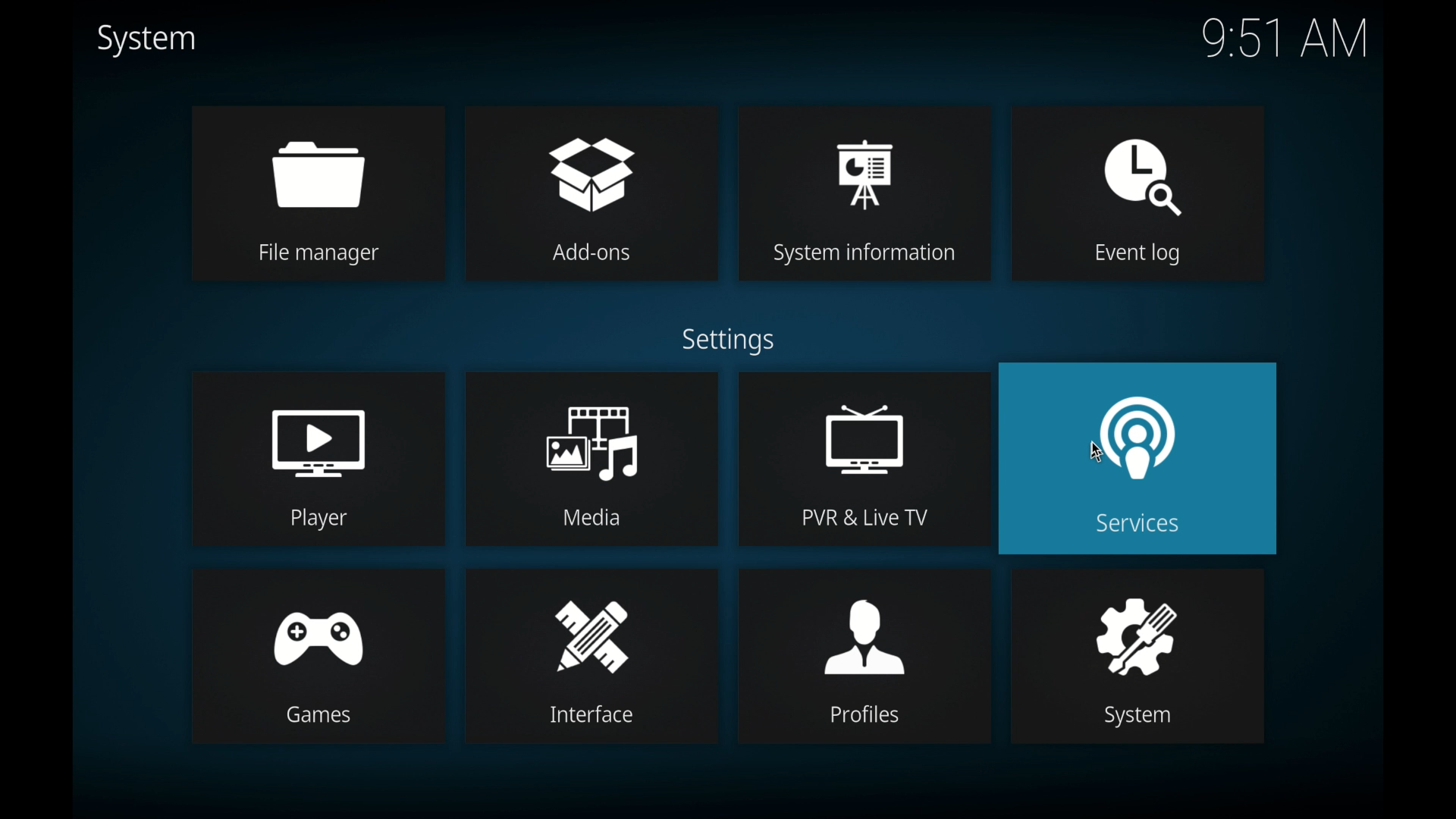 This screenshot has height=819, width=1456. What do you see at coordinates (593, 657) in the screenshot?
I see `interface` at bounding box center [593, 657].